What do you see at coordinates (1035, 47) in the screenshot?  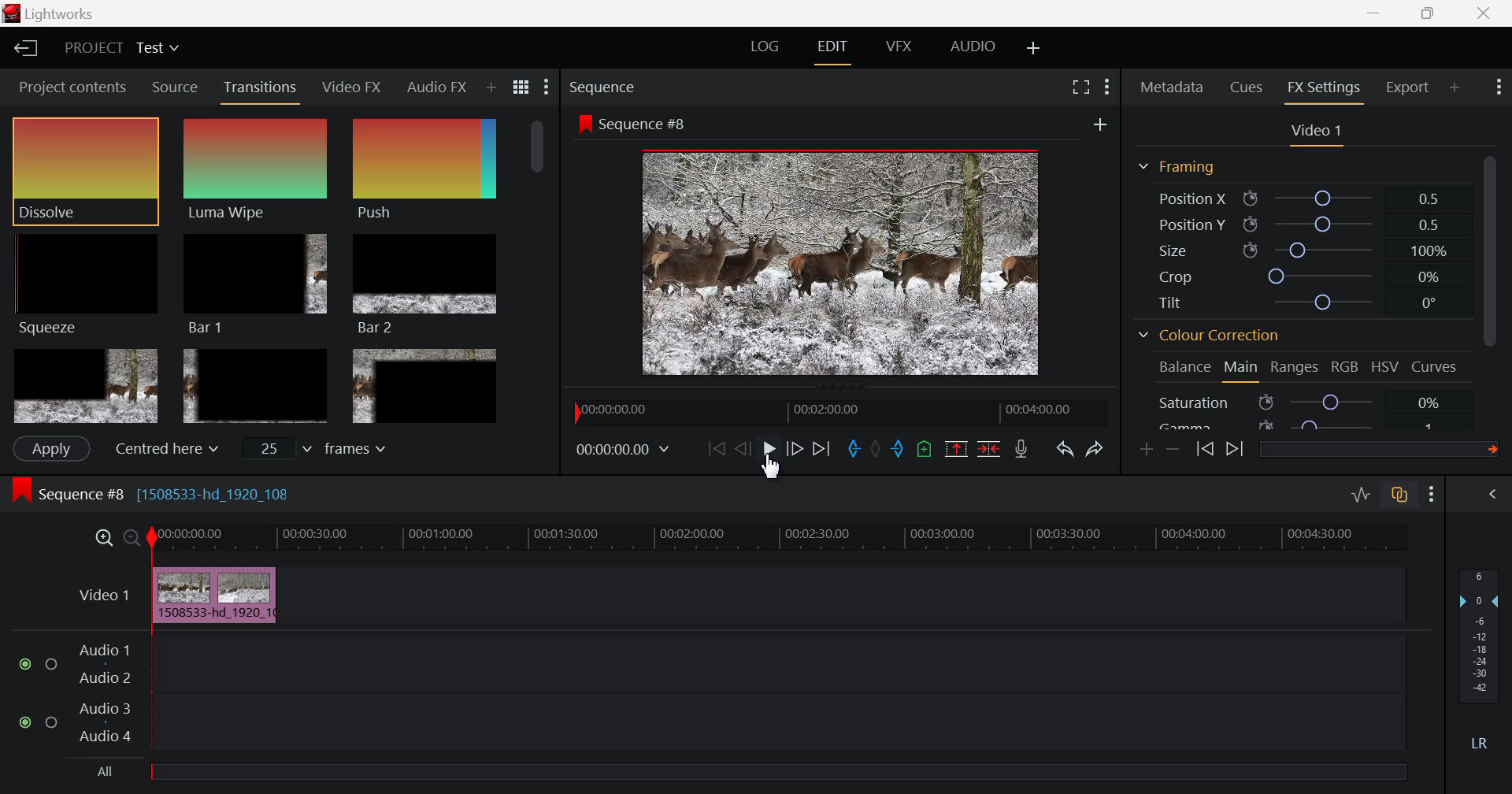 I see `Add Layout` at bounding box center [1035, 47].